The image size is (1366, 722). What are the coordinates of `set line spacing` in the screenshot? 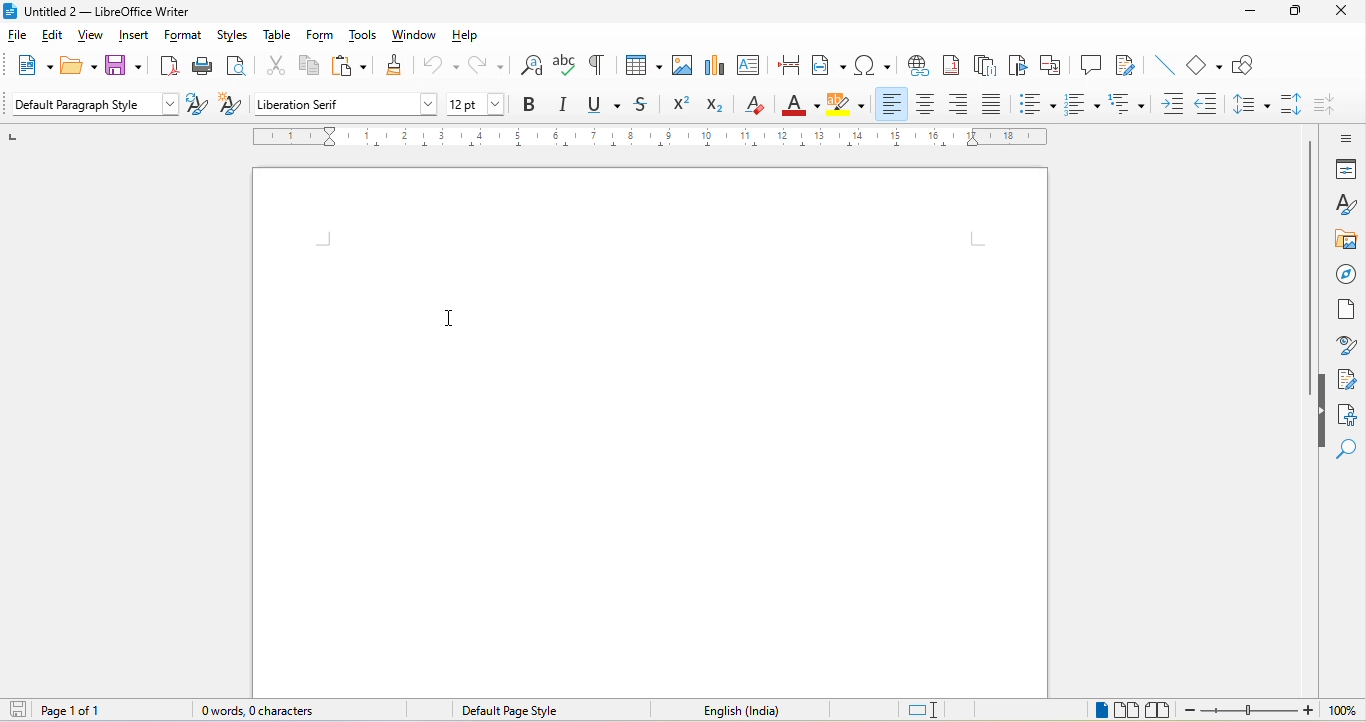 It's located at (1250, 107).